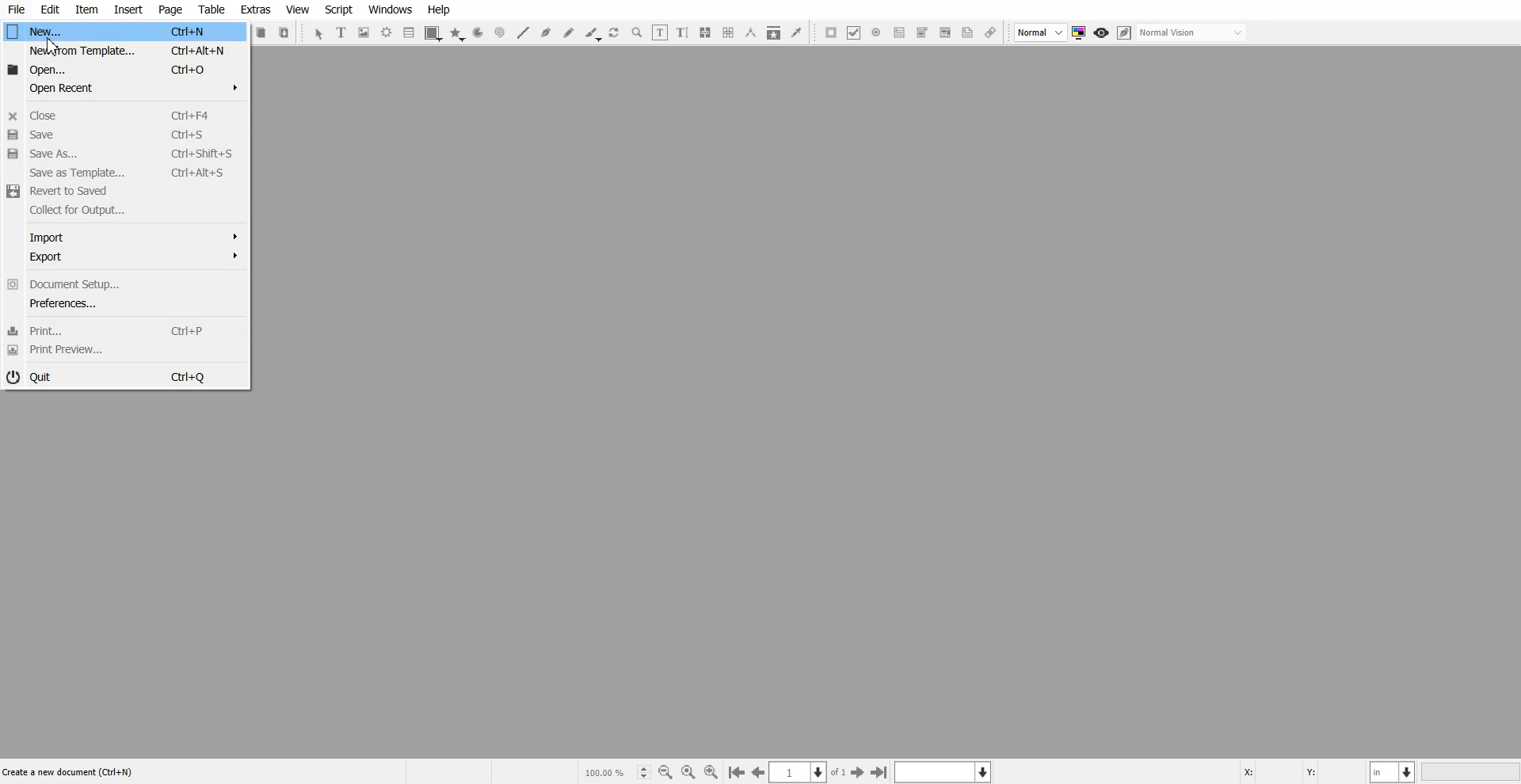 Image resolution: width=1521 pixels, height=784 pixels. What do you see at coordinates (478, 33) in the screenshot?
I see `Arc` at bounding box center [478, 33].